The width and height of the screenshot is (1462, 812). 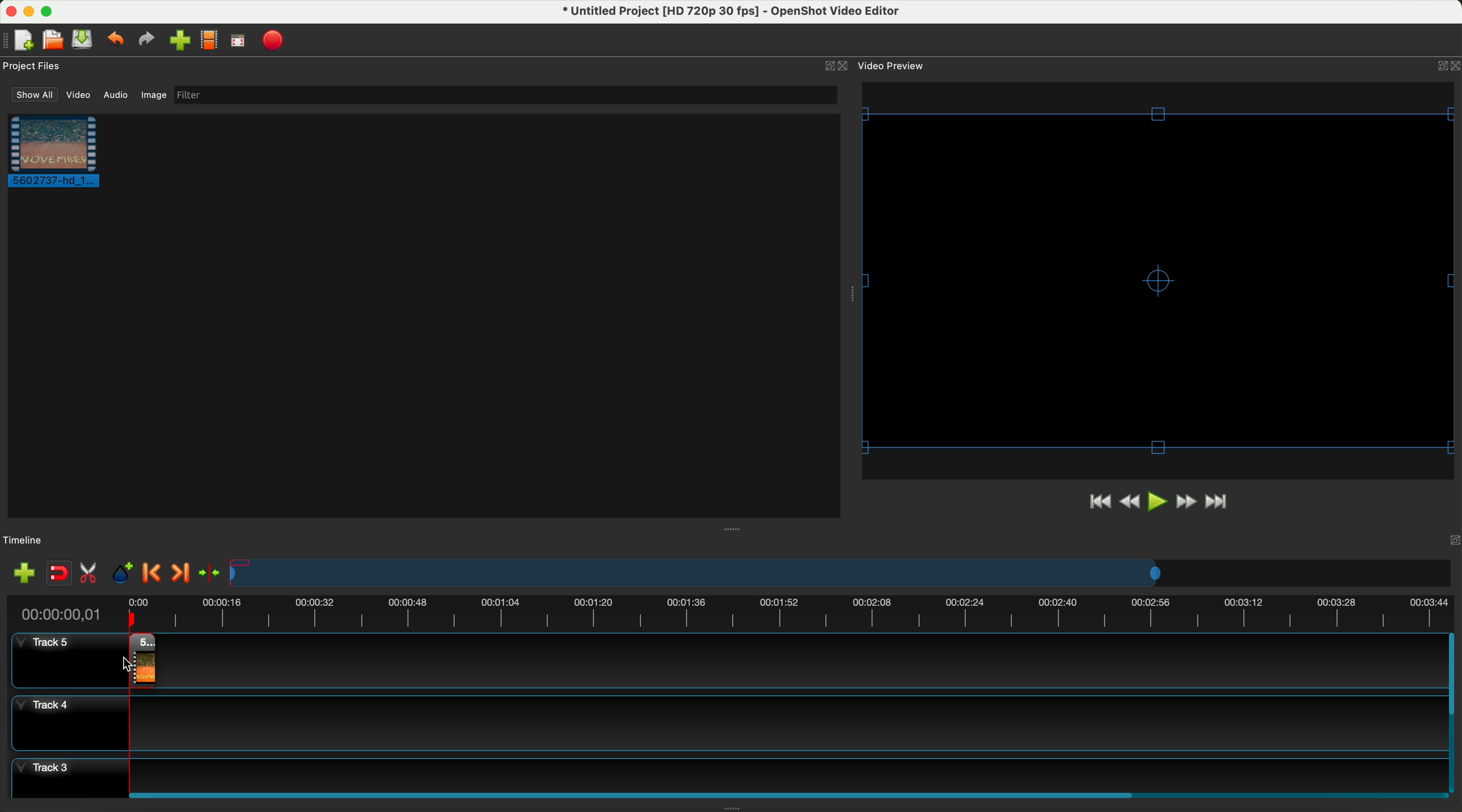 What do you see at coordinates (33, 65) in the screenshot?
I see `project files` at bounding box center [33, 65].